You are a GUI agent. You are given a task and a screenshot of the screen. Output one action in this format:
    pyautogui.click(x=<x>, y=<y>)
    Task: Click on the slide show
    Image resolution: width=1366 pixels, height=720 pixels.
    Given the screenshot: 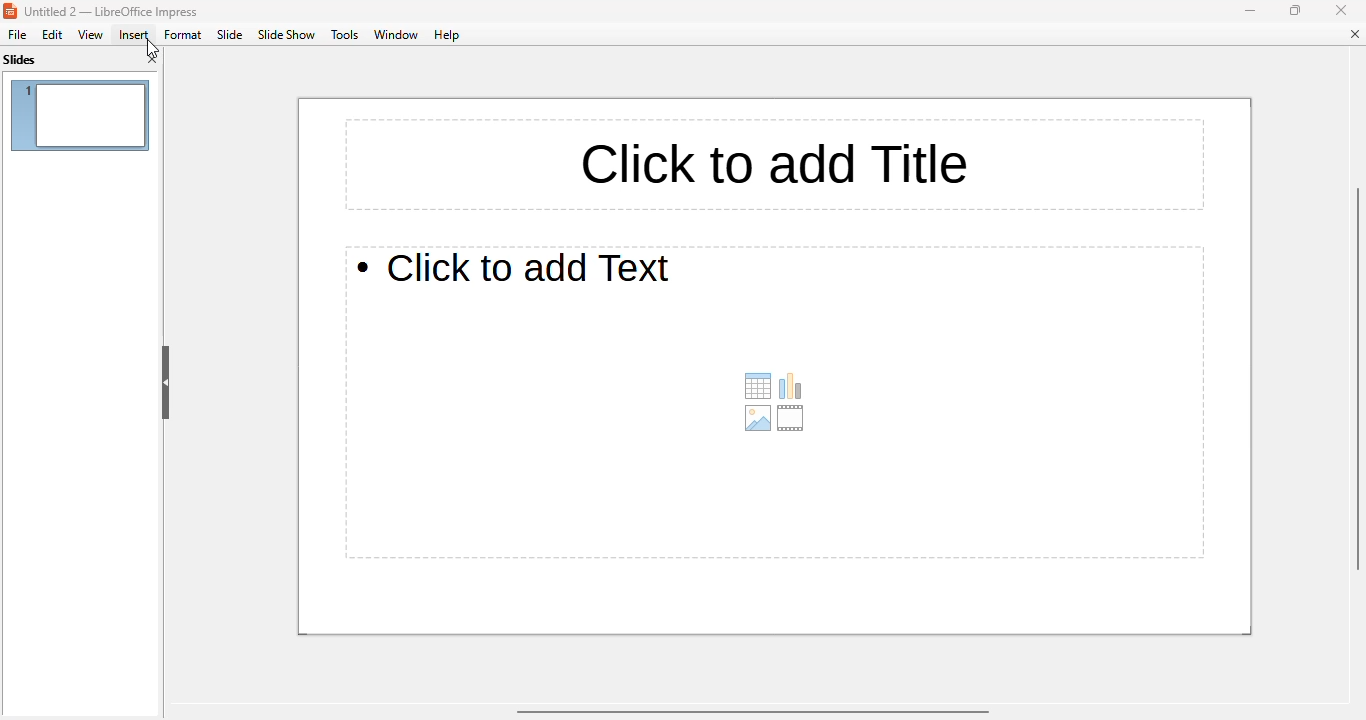 What is the action you would take?
    pyautogui.click(x=286, y=35)
    